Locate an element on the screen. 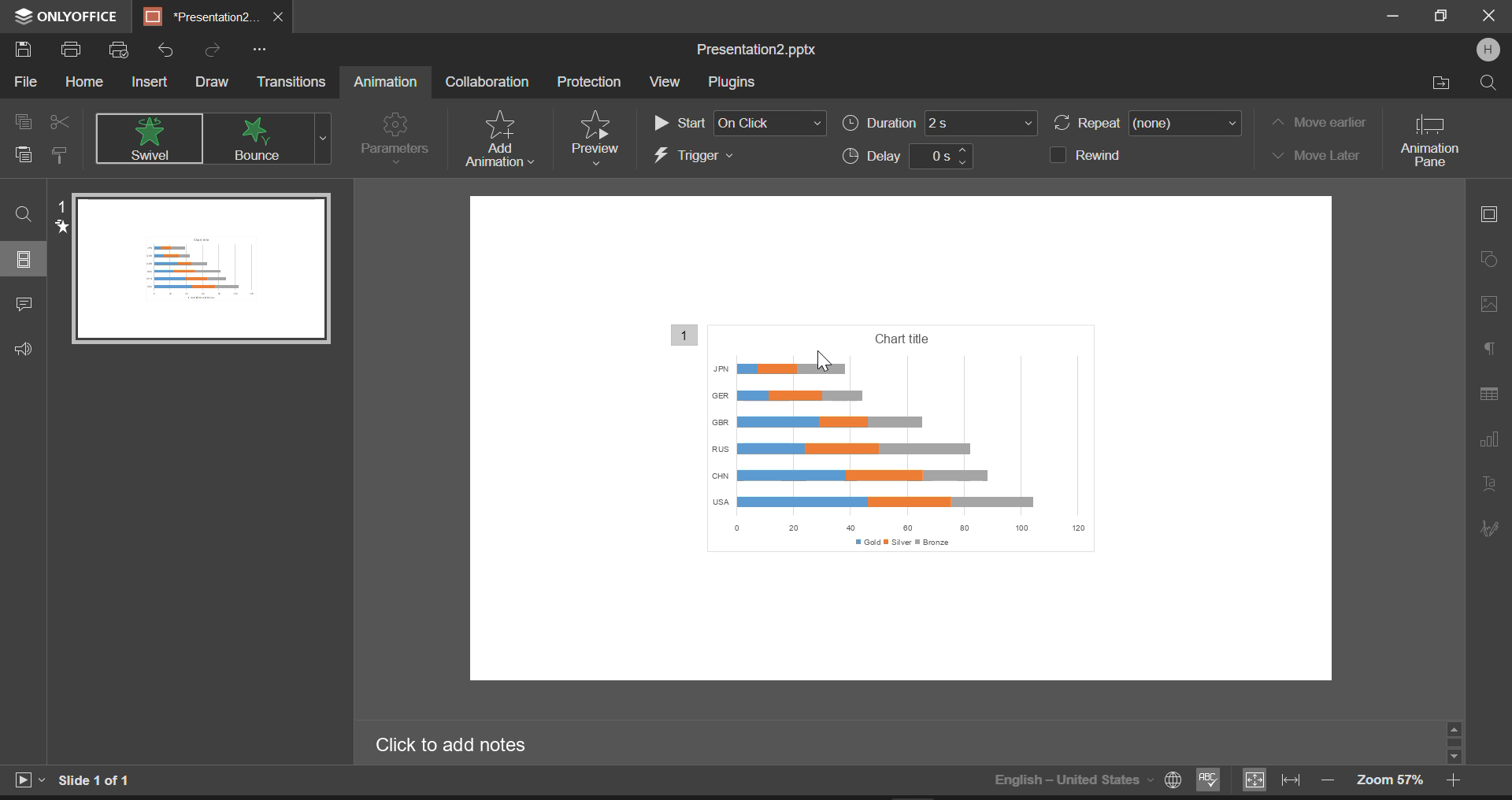 Image resolution: width=1512 pixels, height=800 pixels. Find is located at coordinates (24, 213).